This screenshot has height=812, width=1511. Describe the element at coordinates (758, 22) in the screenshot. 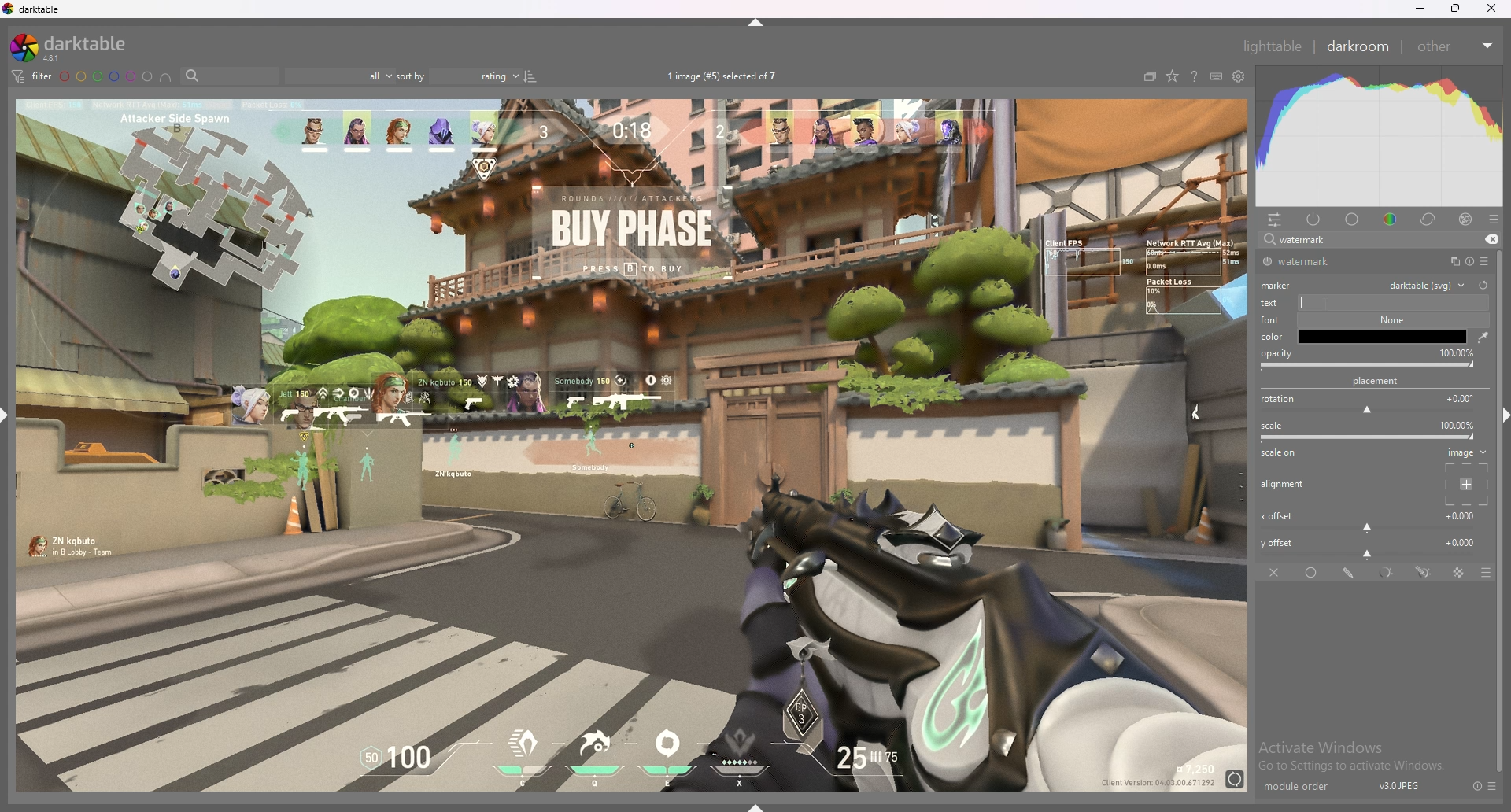

I see `hide` at that location.